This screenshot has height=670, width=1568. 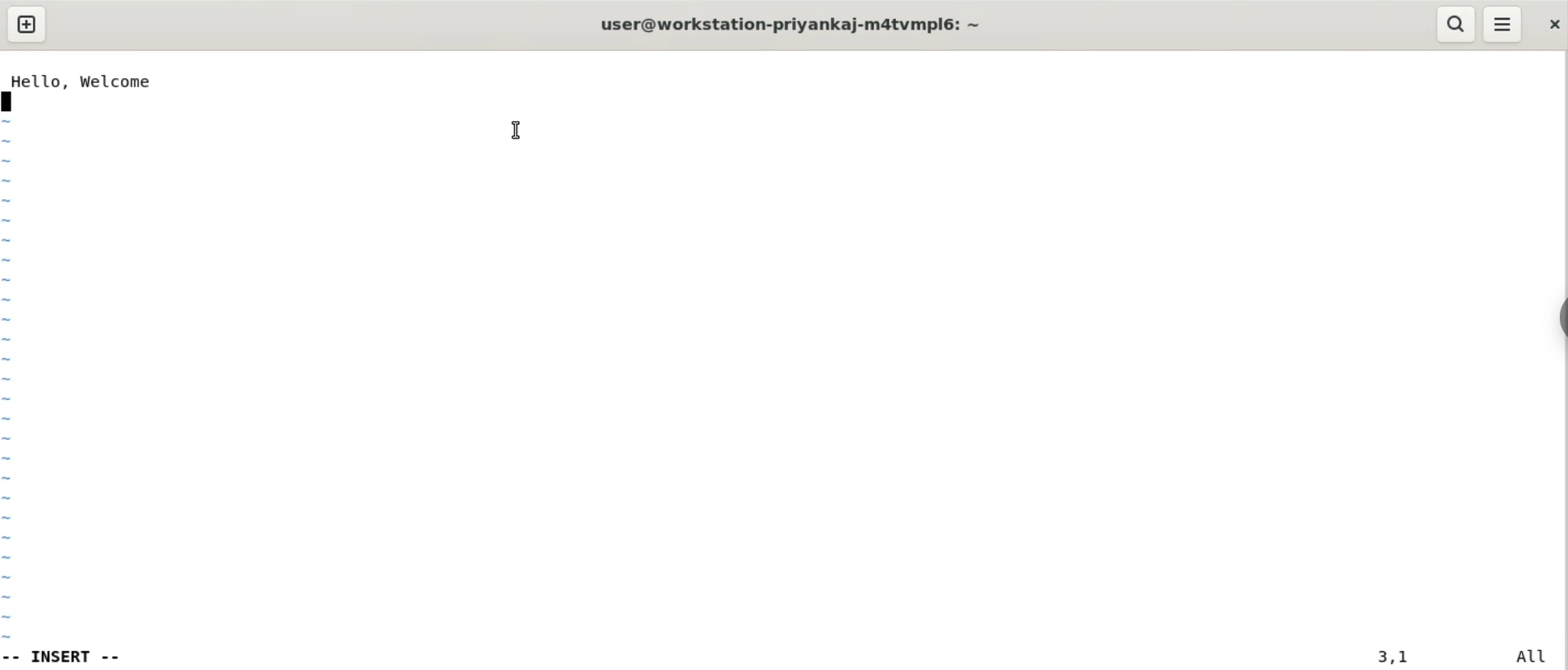 What do you see at coordinates (1551, 25) in the screenshot?
I see `close` at bounding box center [1551, 25].